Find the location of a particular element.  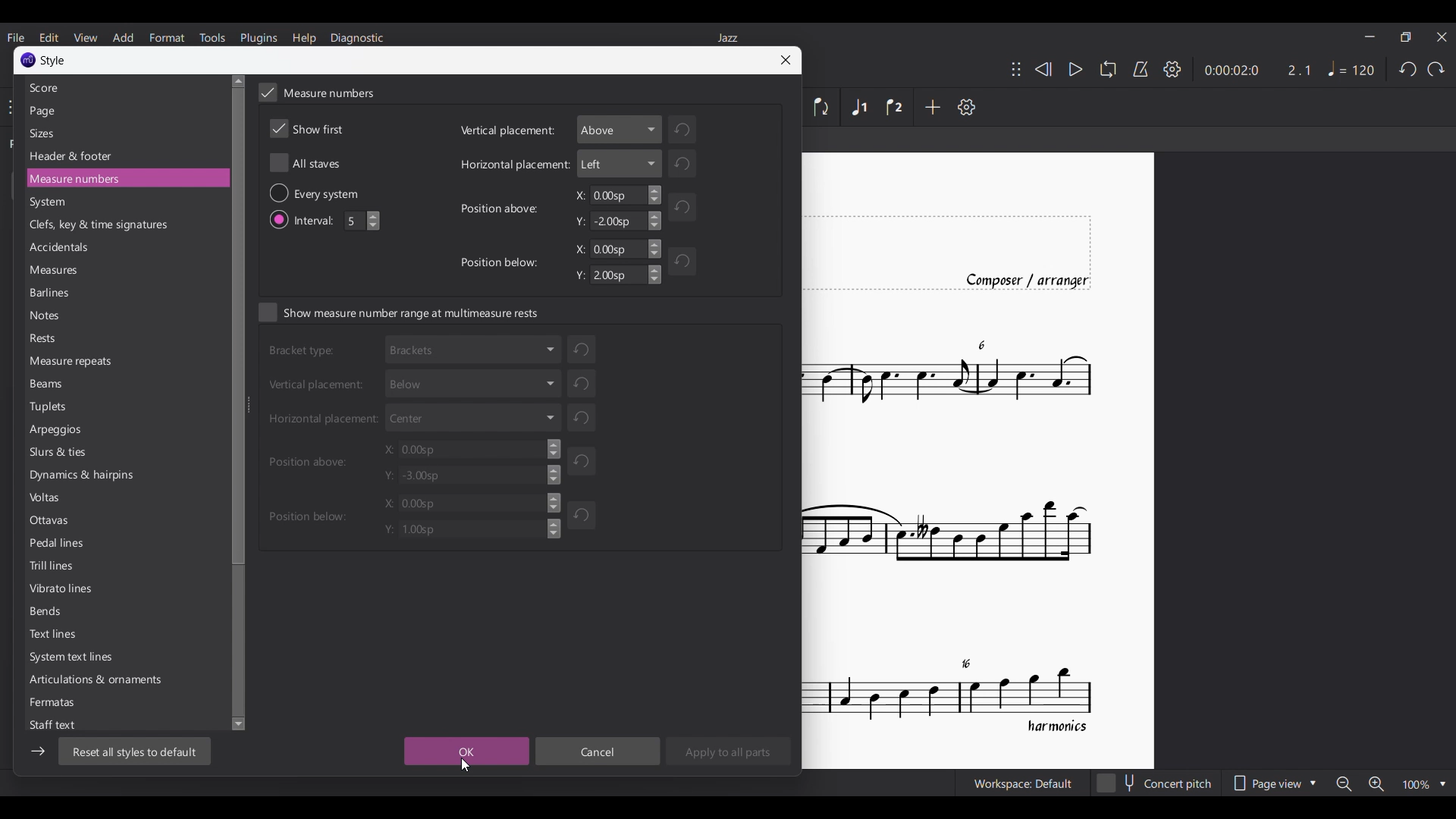

X is located at coordinates (474, 449).